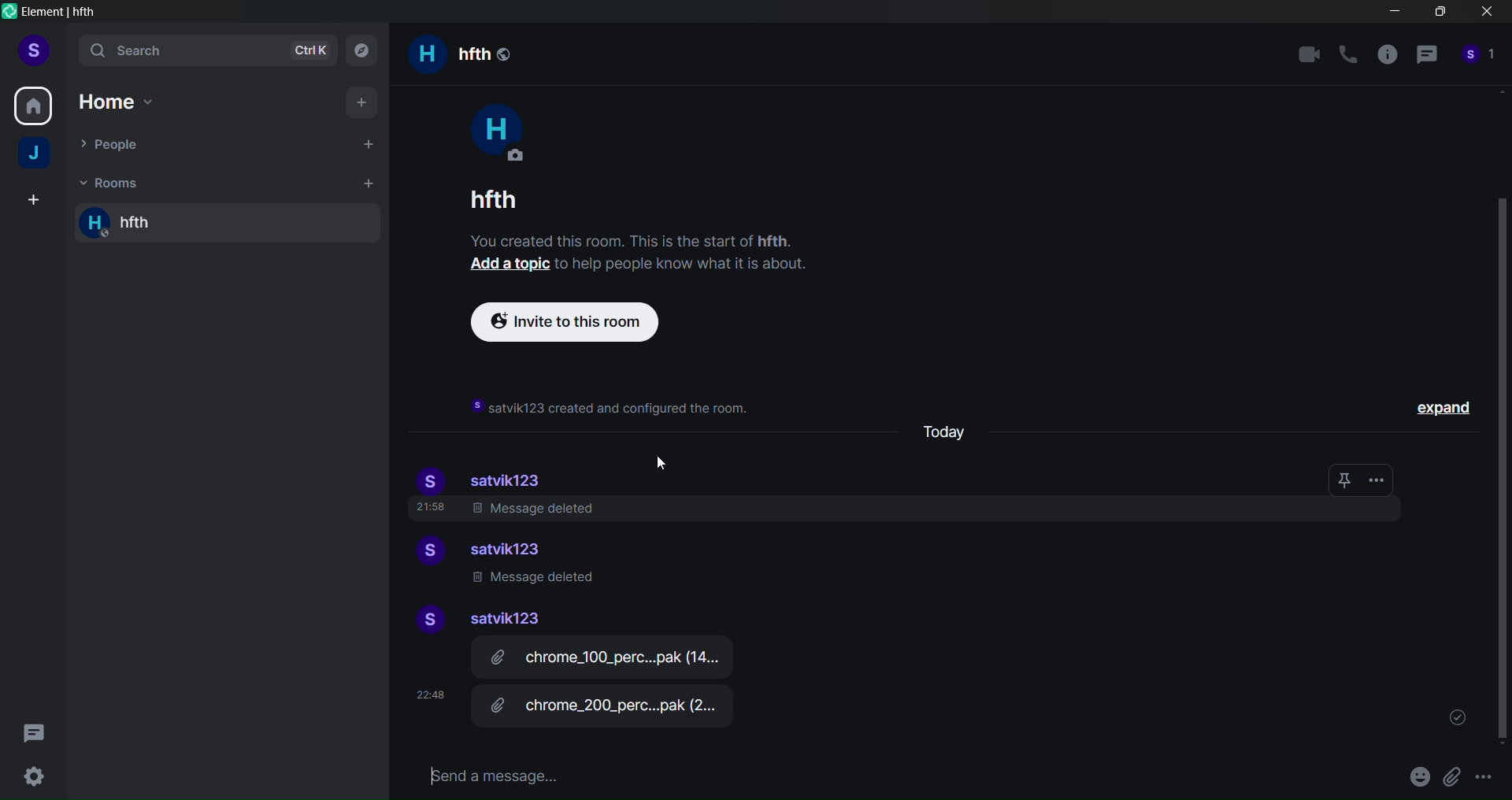 The width and height of the screenshot is (1512, 800). Describe the element at coordinates (602, 401) in the screenshot. I see `Text about group` at that location.